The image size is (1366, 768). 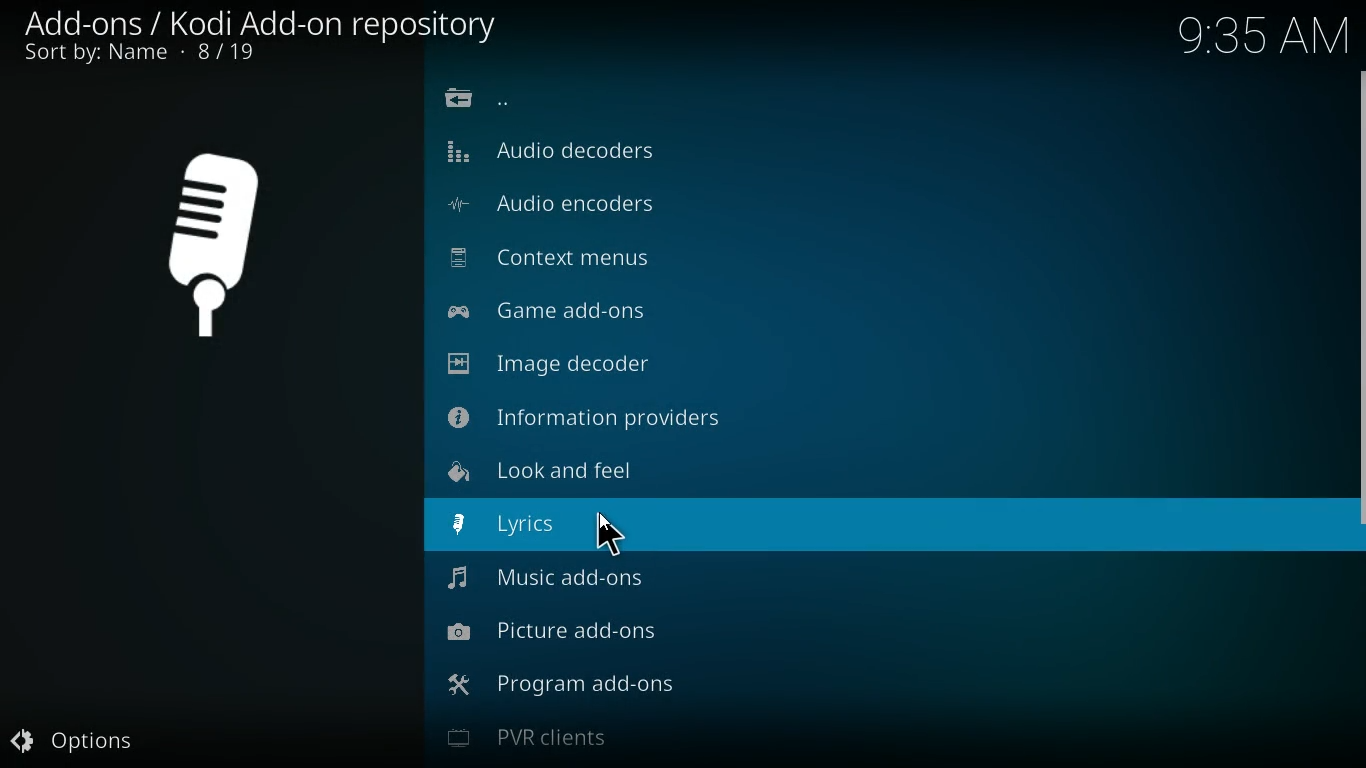 What do you see at coordinates (148, 54) in the screenshot?
I see `sort by name` at bounding box center [148, 54].